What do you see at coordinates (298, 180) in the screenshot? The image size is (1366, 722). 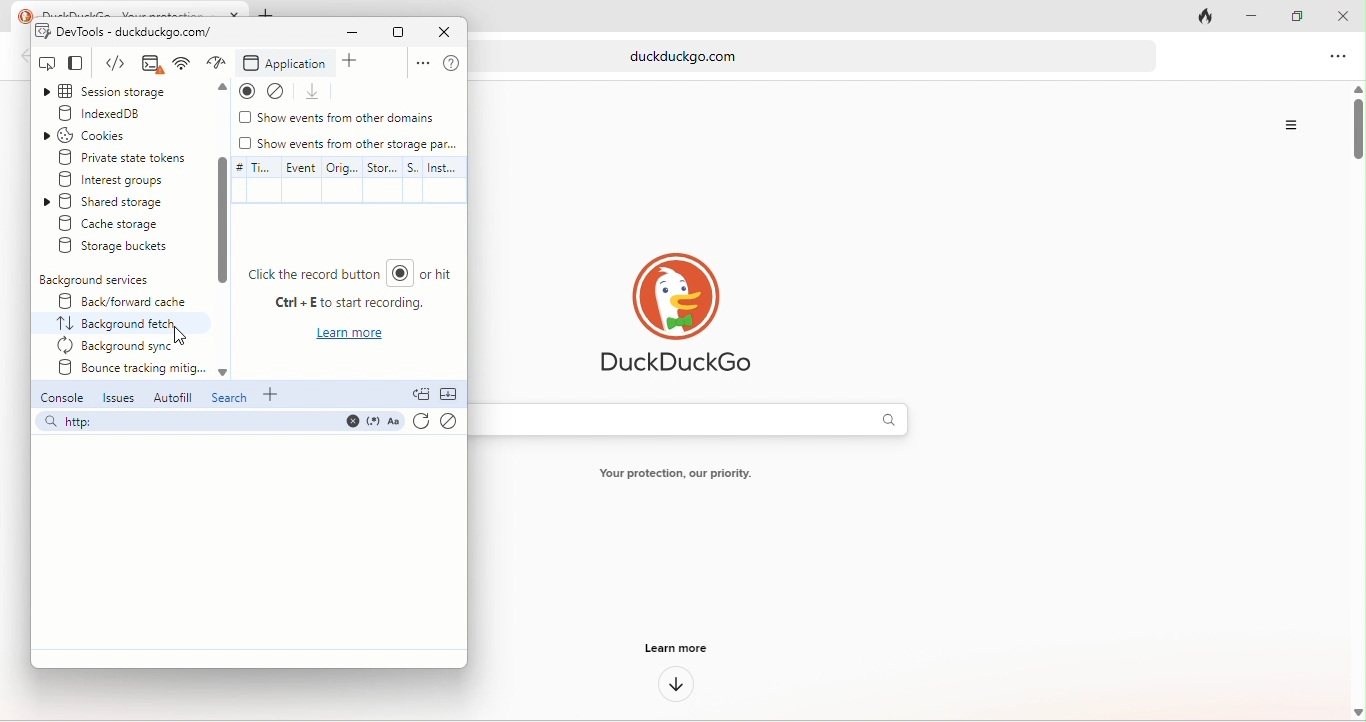 I see `event` at bounding box center [298, 180].